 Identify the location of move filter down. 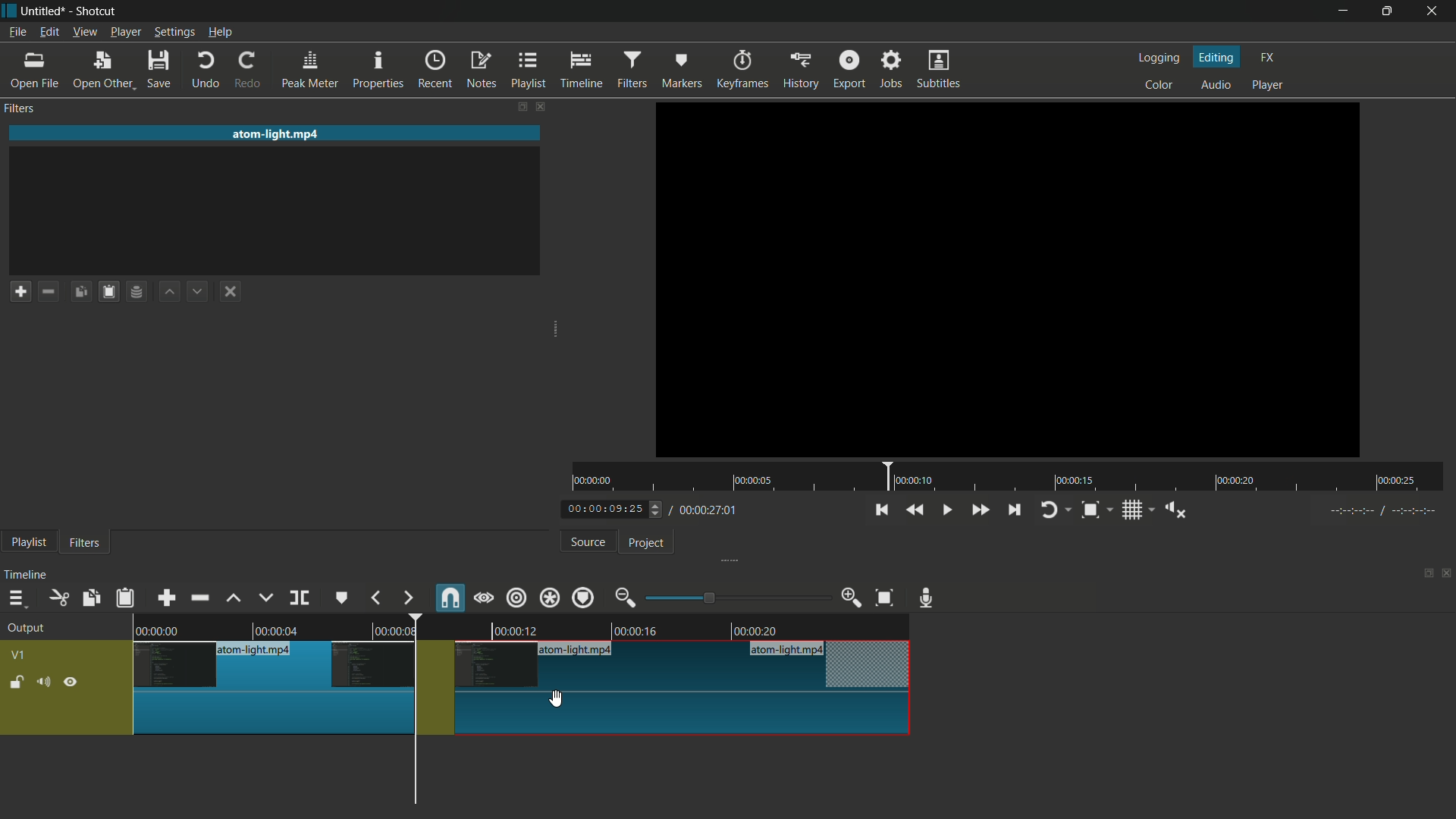
(202, 290).